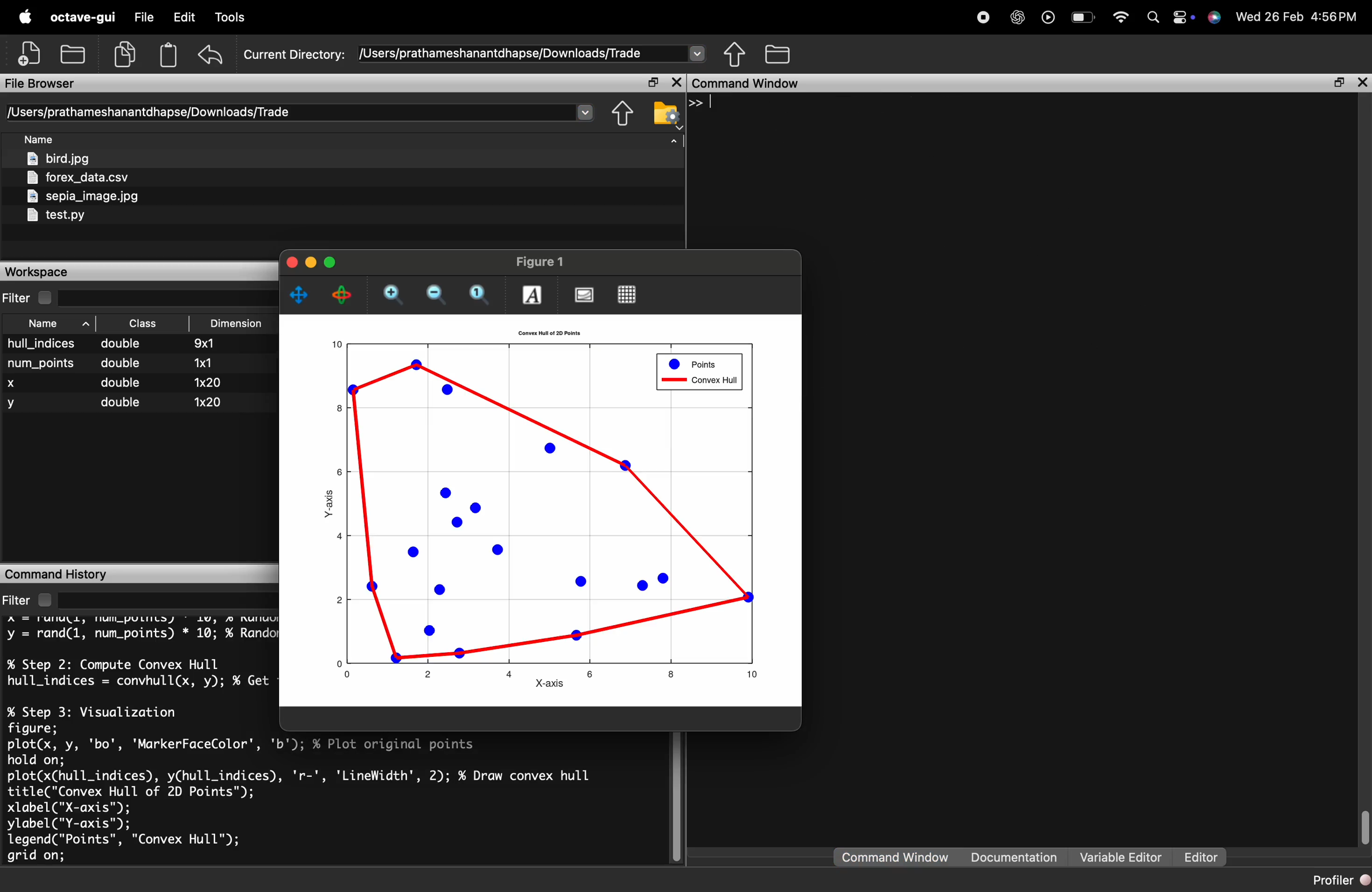  I want to click on edit, so click(186, 17).